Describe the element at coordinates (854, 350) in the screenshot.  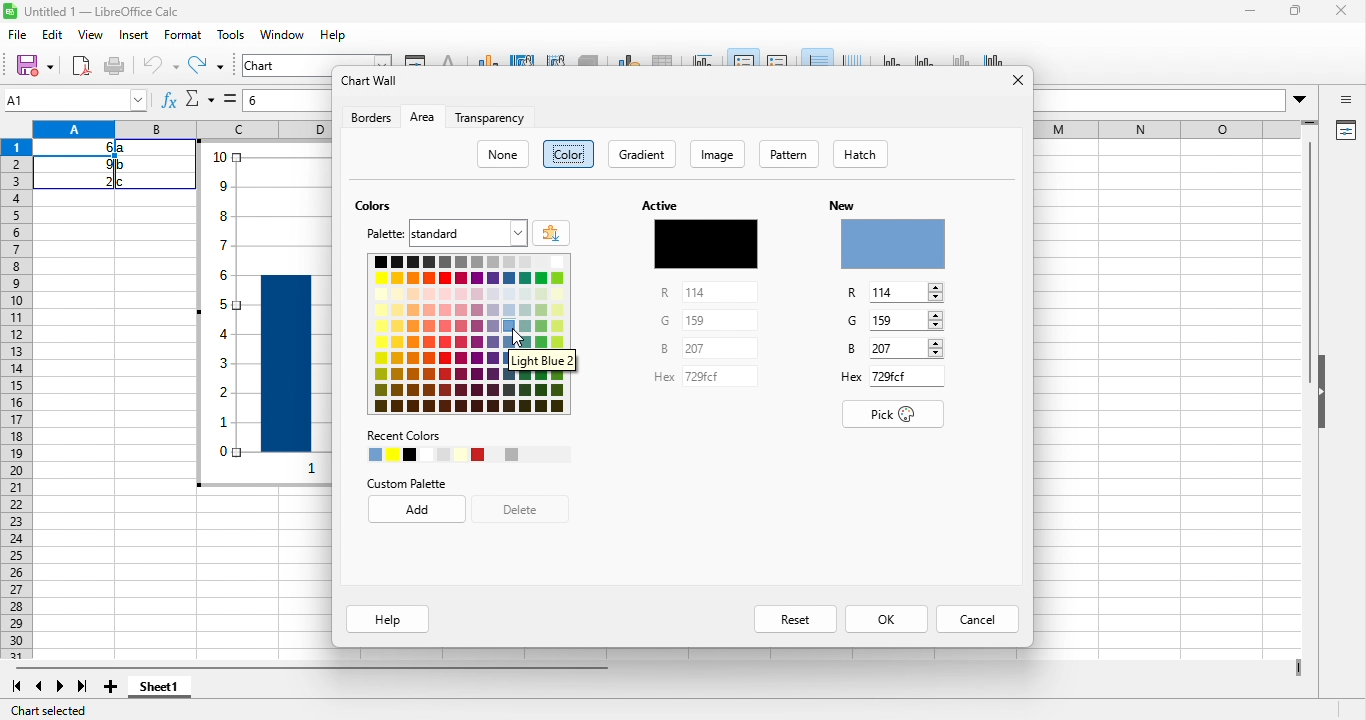
I see `B` at that location.